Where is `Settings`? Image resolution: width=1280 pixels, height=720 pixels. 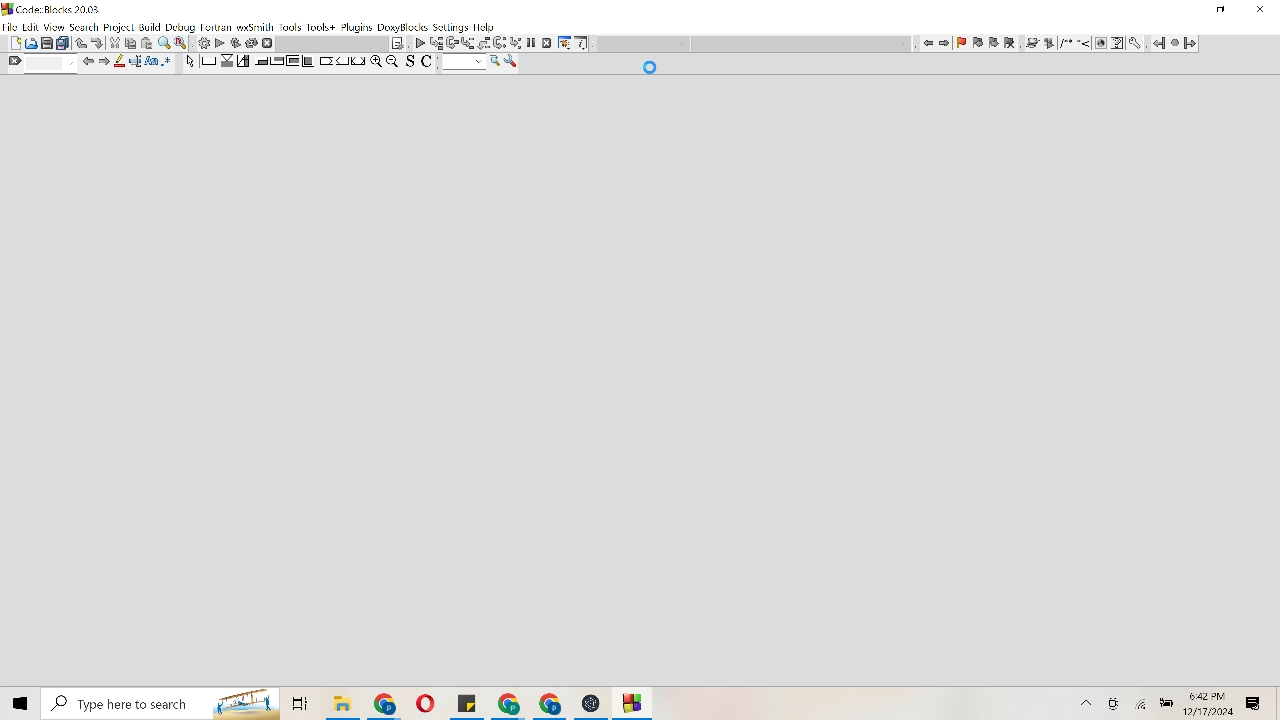 Settings is located at coordinates (202, 43).